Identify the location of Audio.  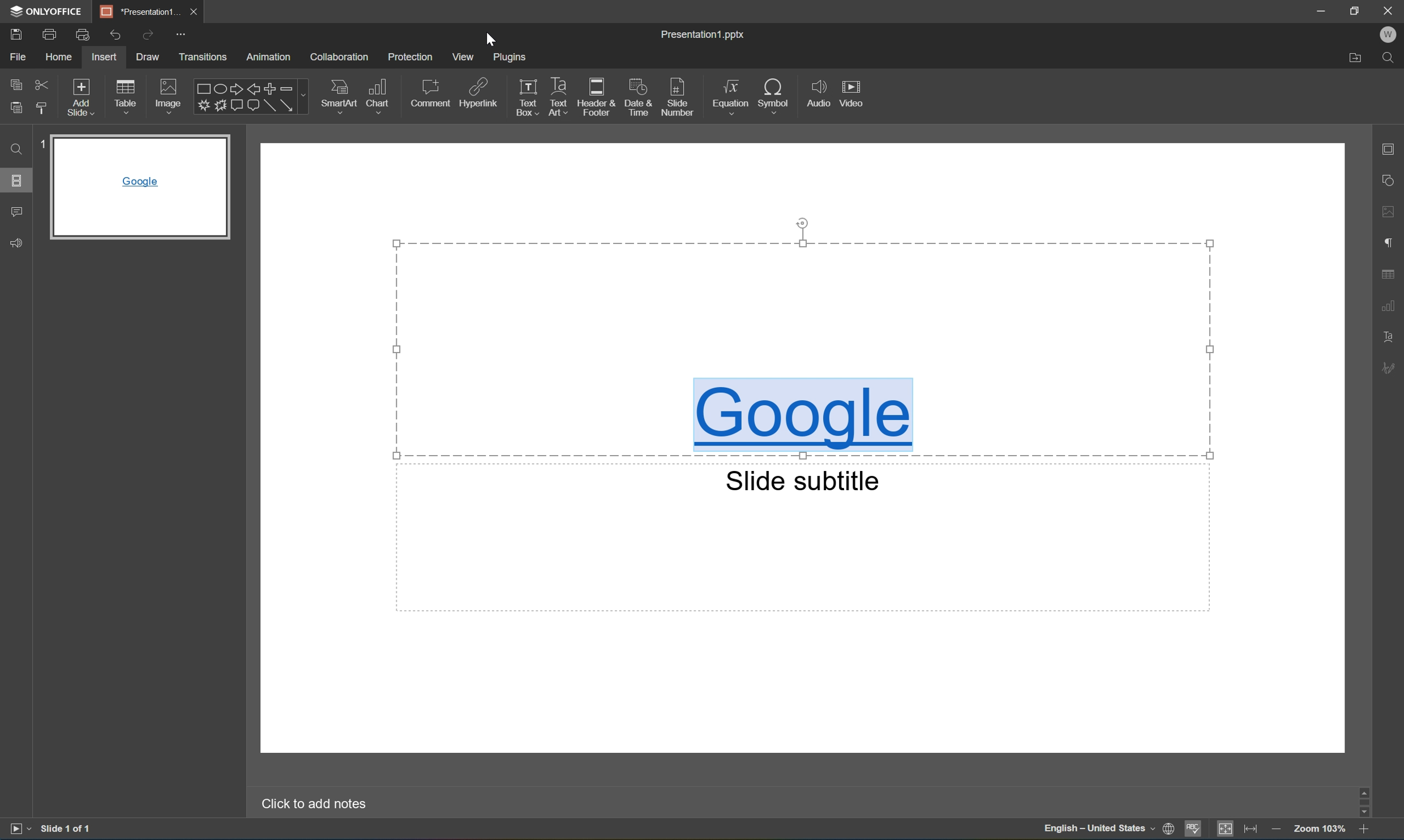
(817, 90).